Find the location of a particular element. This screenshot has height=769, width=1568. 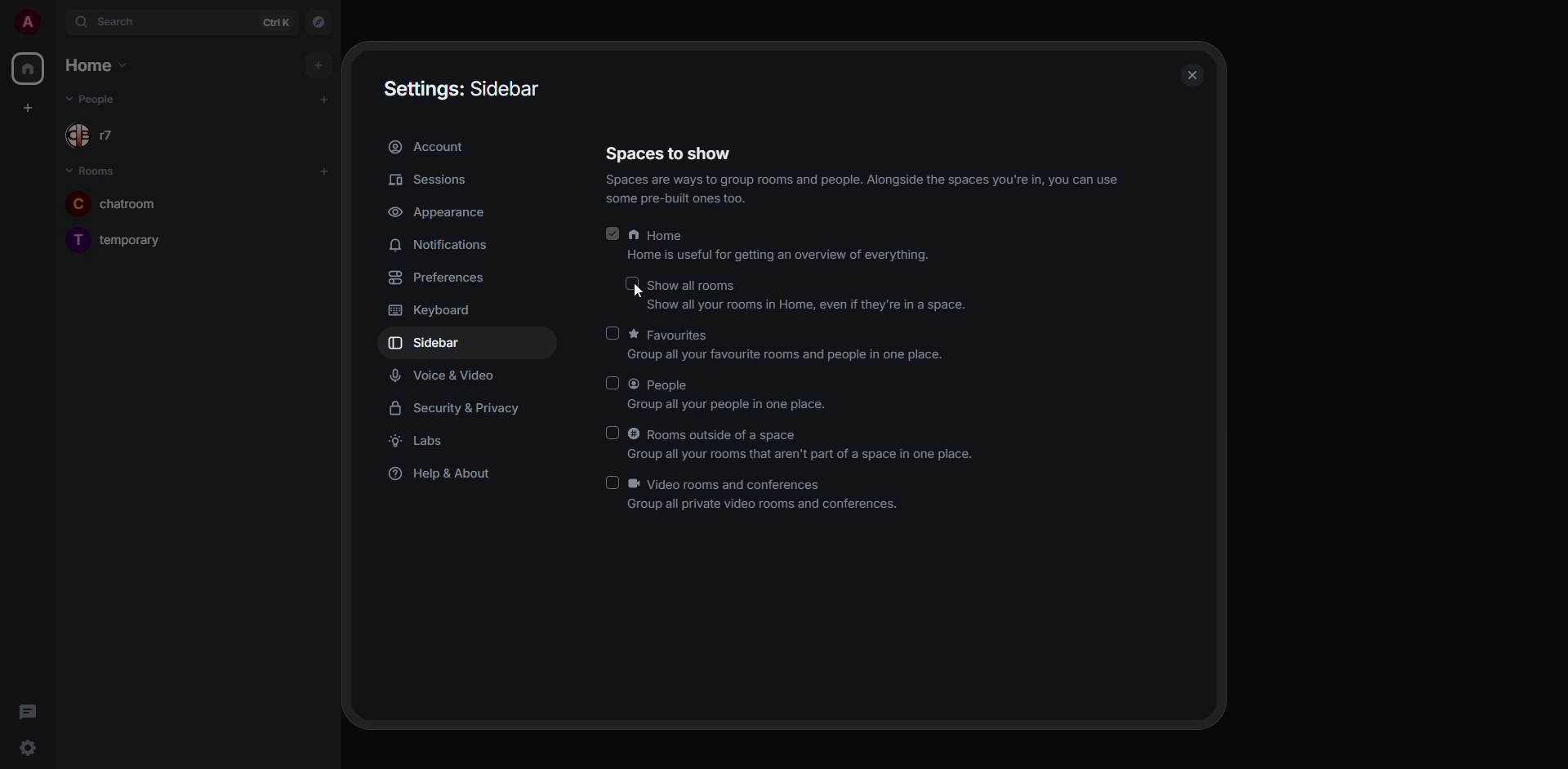

notifications is located at coordinates (442, 245).